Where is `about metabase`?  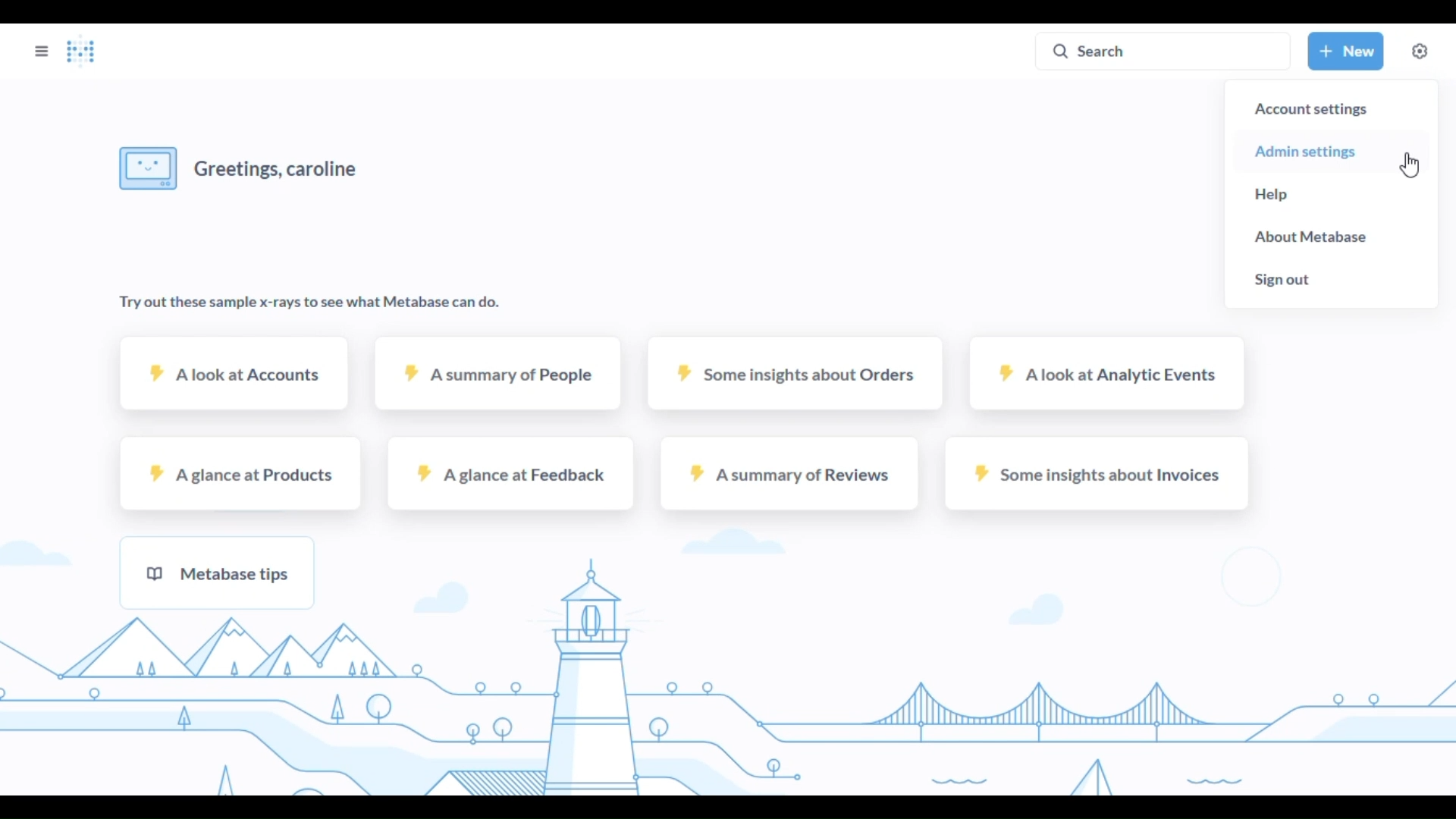
about metabase is located at coordinates (1310, 237).